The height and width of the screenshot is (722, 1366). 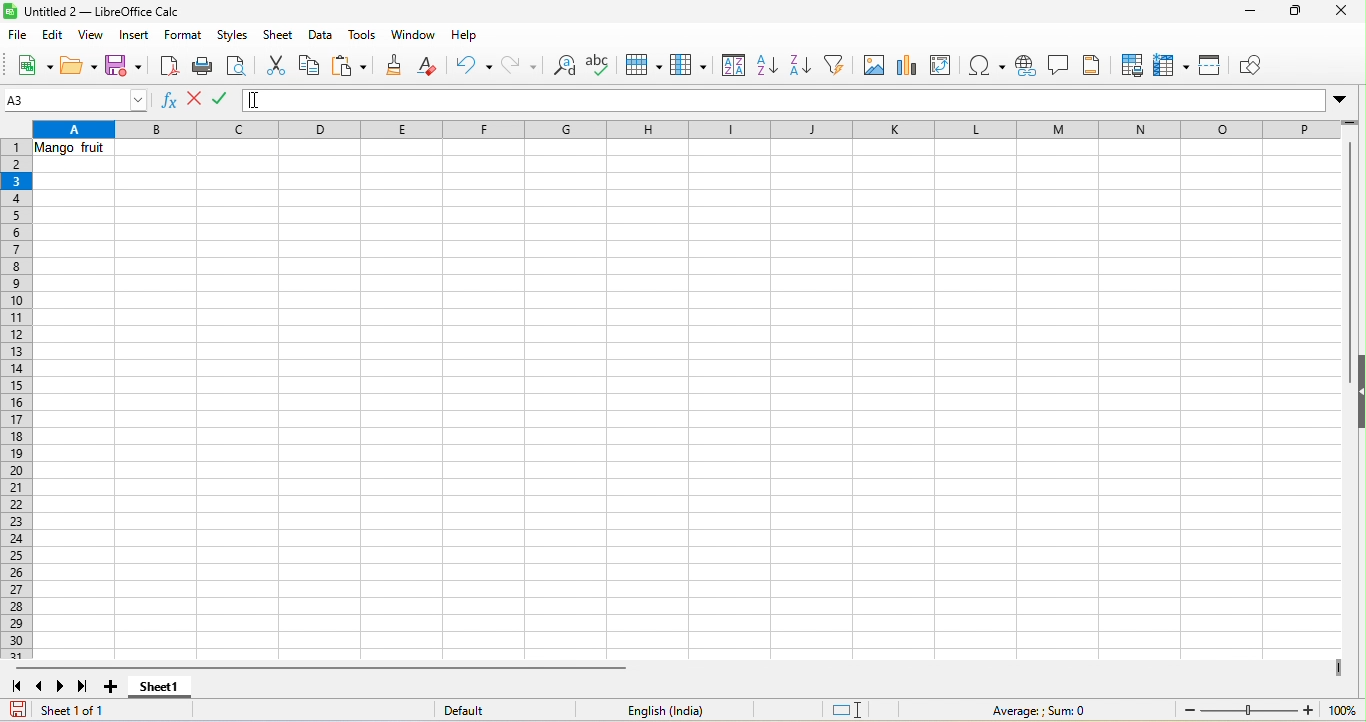 I want to click on format, so click(x=184, y=37).